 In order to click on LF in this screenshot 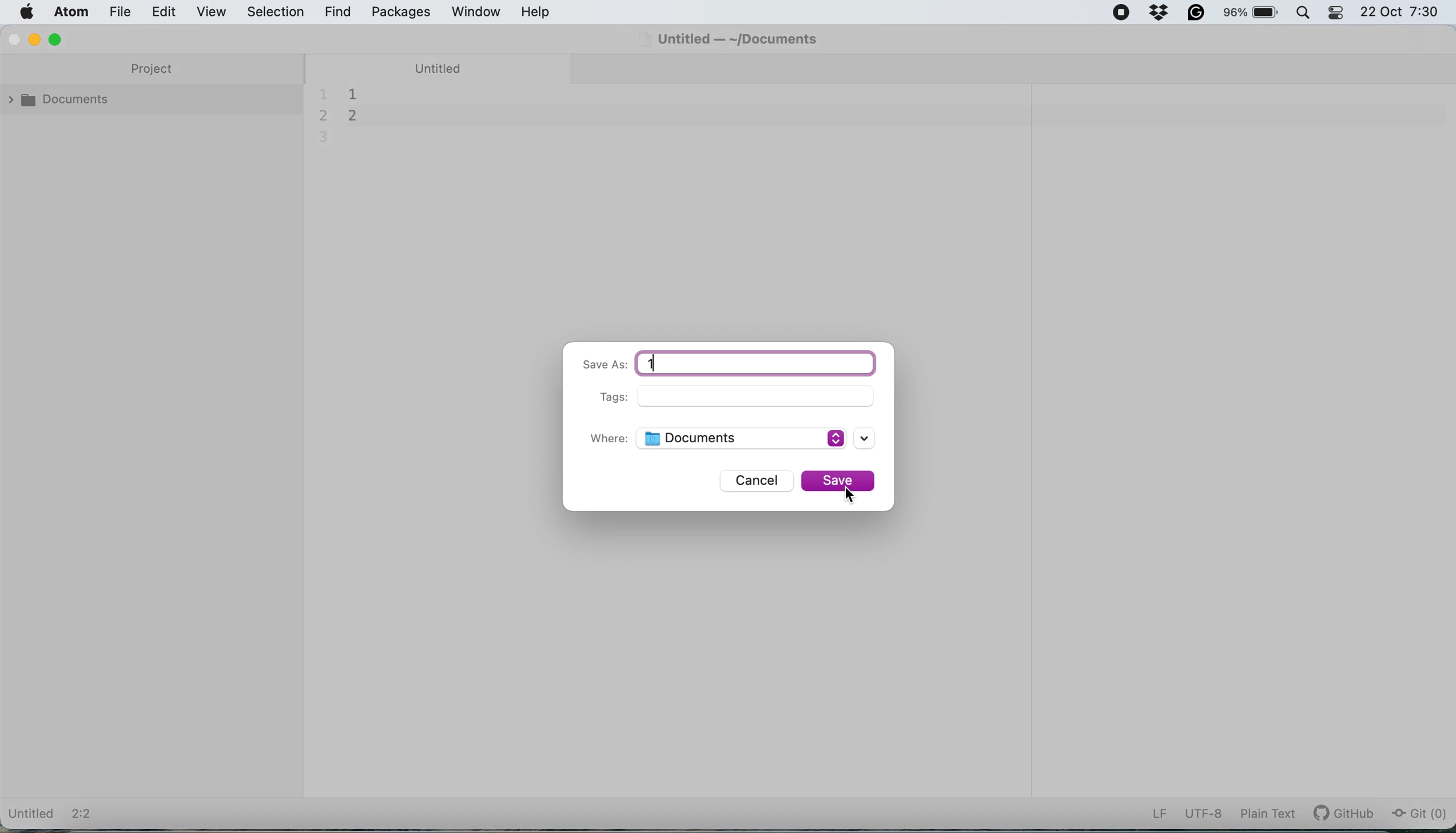, I will do `click(1160, 814)`.